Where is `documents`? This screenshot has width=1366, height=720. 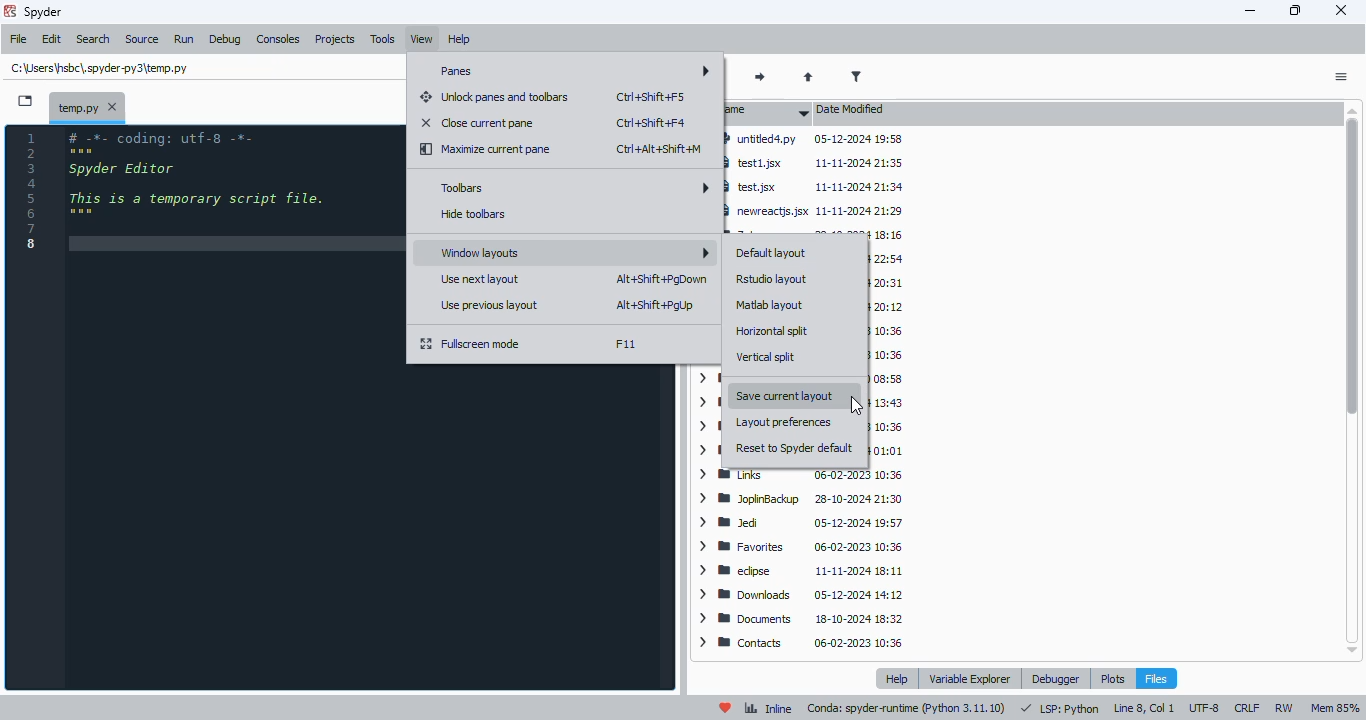 documents is located at coordinates (800, 619).